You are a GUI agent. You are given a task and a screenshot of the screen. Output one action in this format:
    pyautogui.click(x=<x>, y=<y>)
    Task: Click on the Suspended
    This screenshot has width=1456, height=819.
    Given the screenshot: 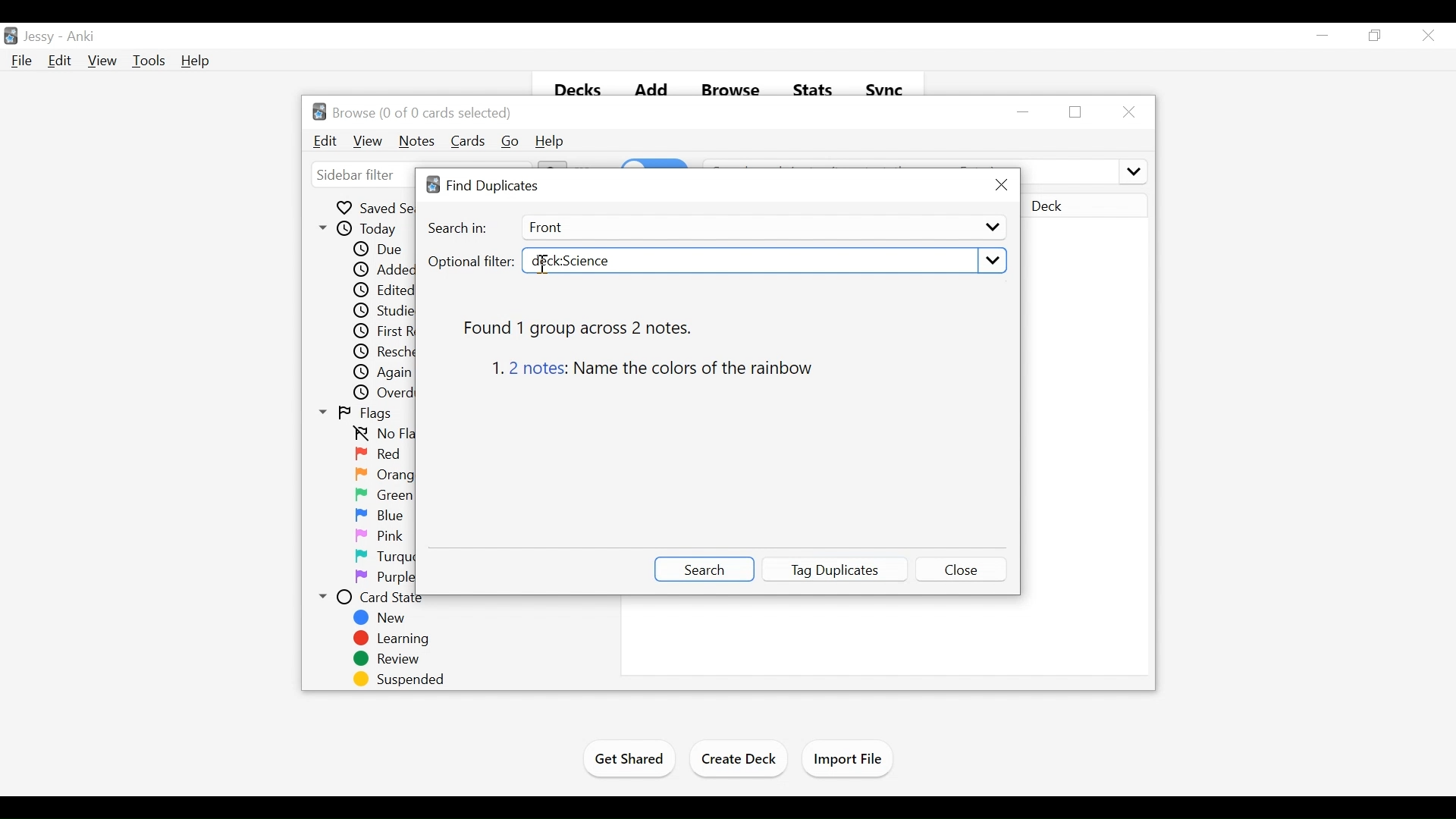 What is the action you would take?
    pyautogui.click(x=395, y=679)
    